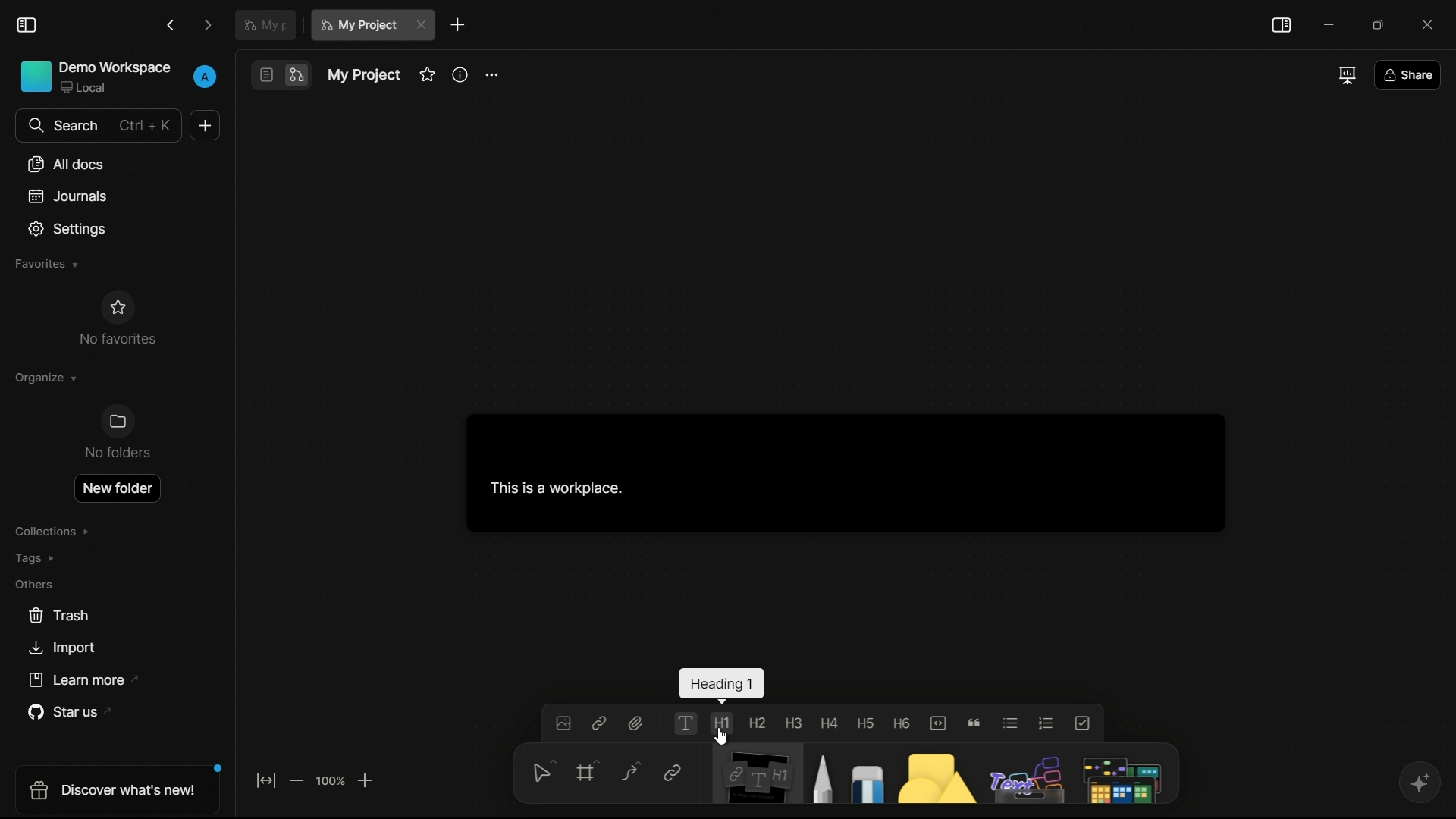 This screenshot has height=819, width=1456. What do you see at coordinates (298, 780) in the screenshot?
I see `zoom out` at bounding box center [298, 780].